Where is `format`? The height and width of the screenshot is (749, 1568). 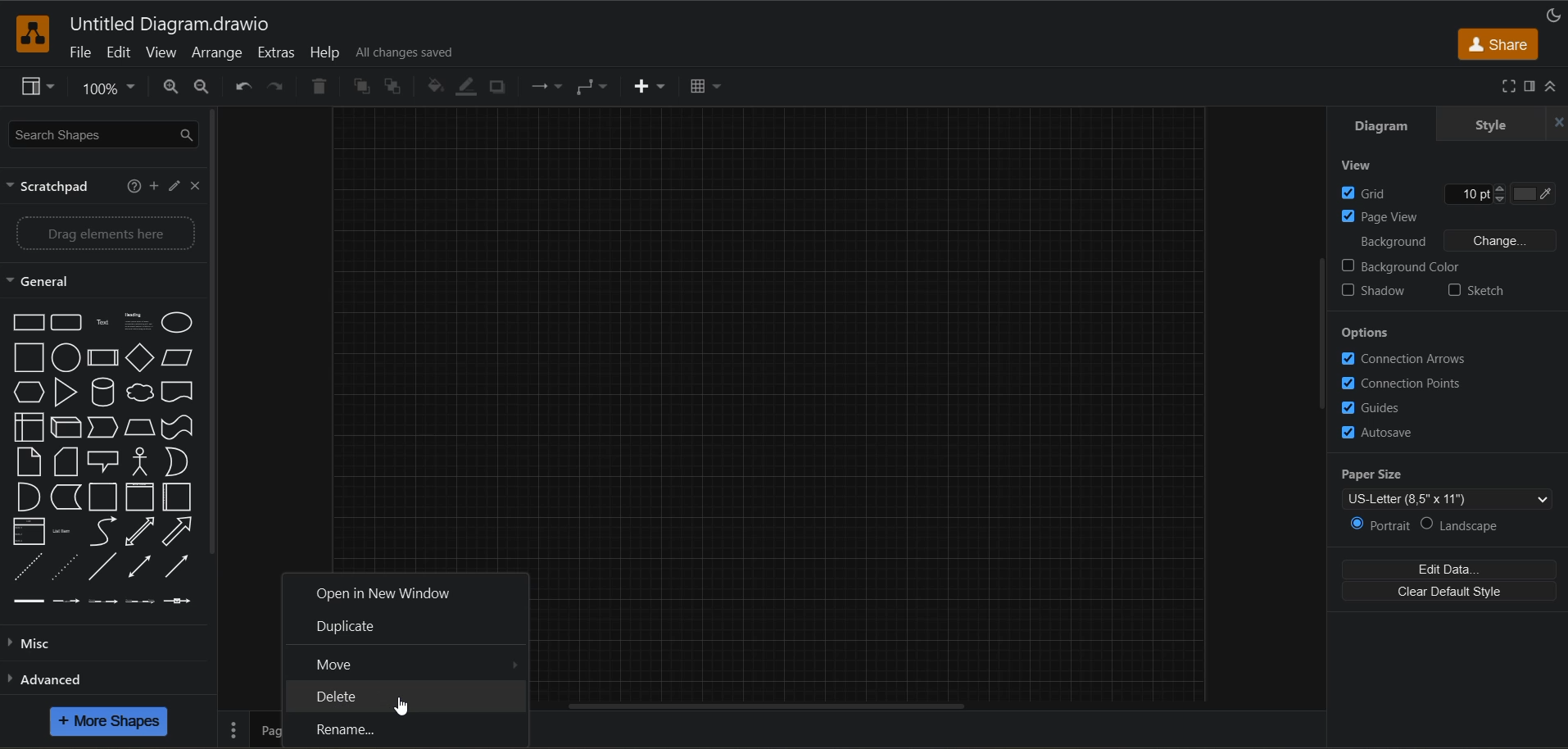
format is located at coordinates (1532, 87).